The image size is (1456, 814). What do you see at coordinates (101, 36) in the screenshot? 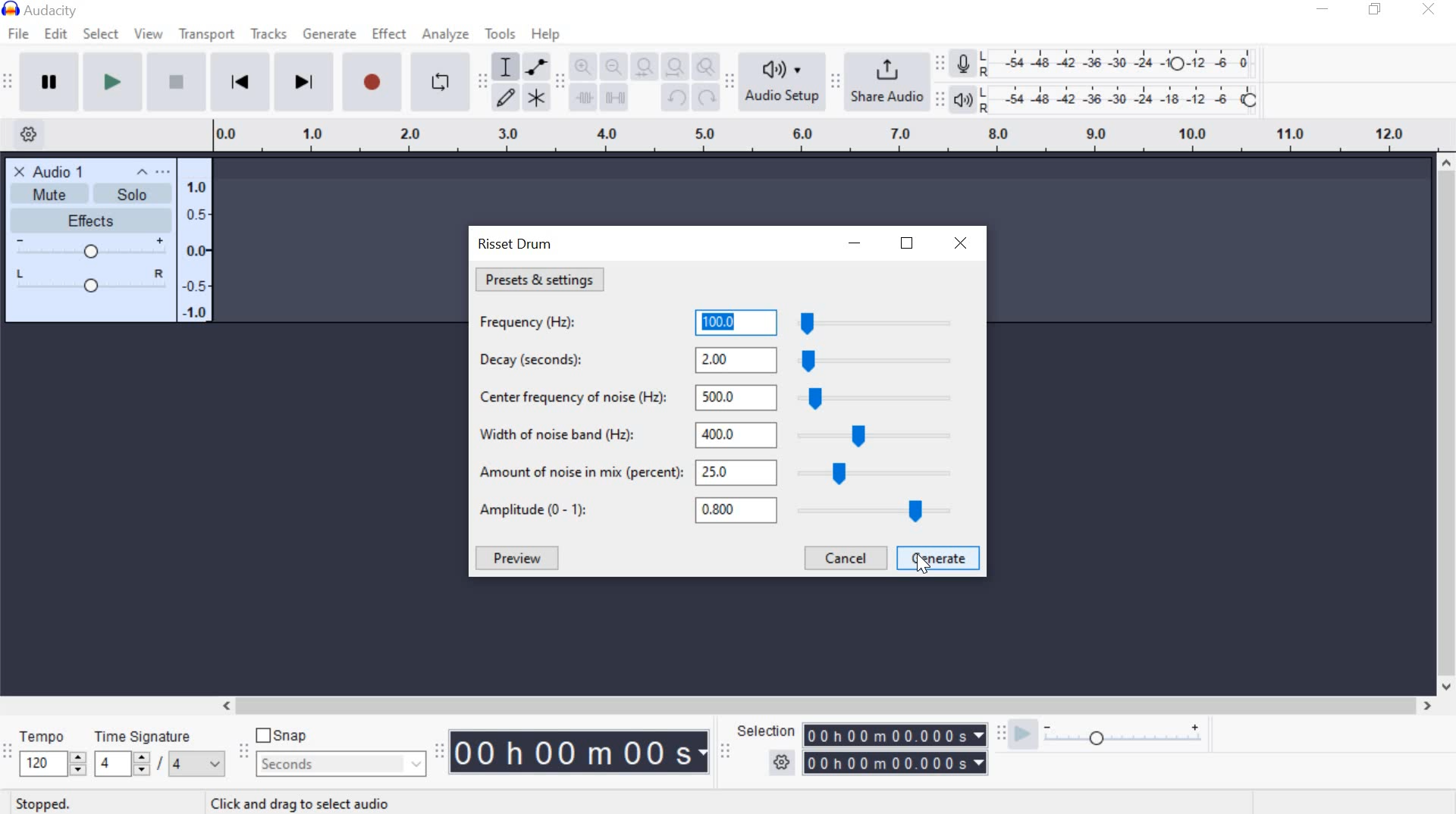
I see `select` at bounding box center [101, 36].